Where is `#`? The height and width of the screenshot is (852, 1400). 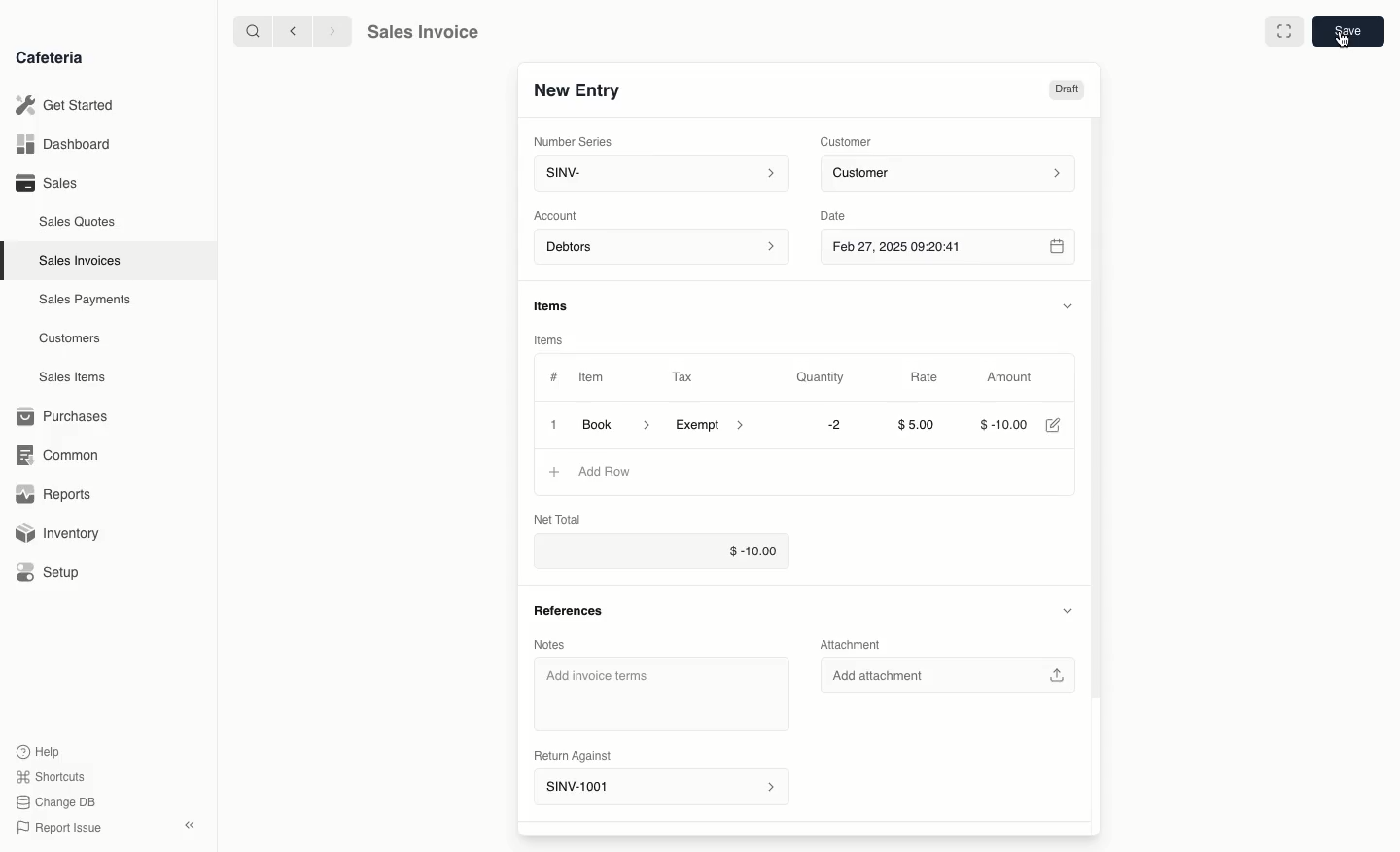
# is located at coordinates (554, 375).